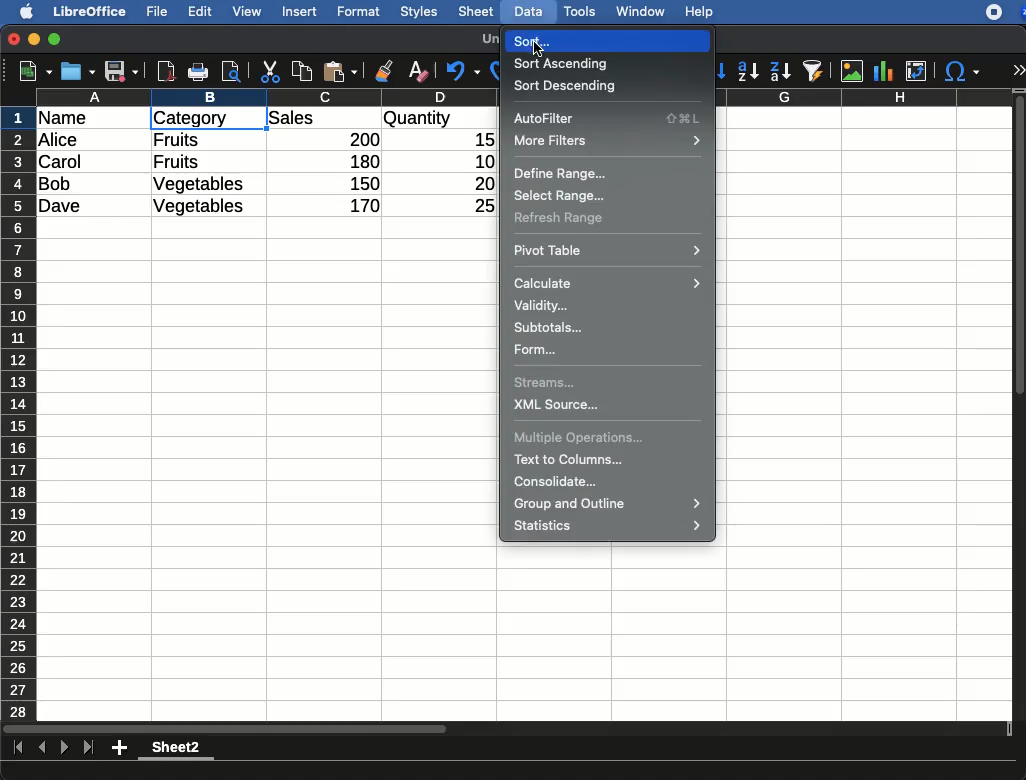 Image resolution: width=1026 pixels, height=780 pixels. I want to click on text to columns, so click(573, 459).